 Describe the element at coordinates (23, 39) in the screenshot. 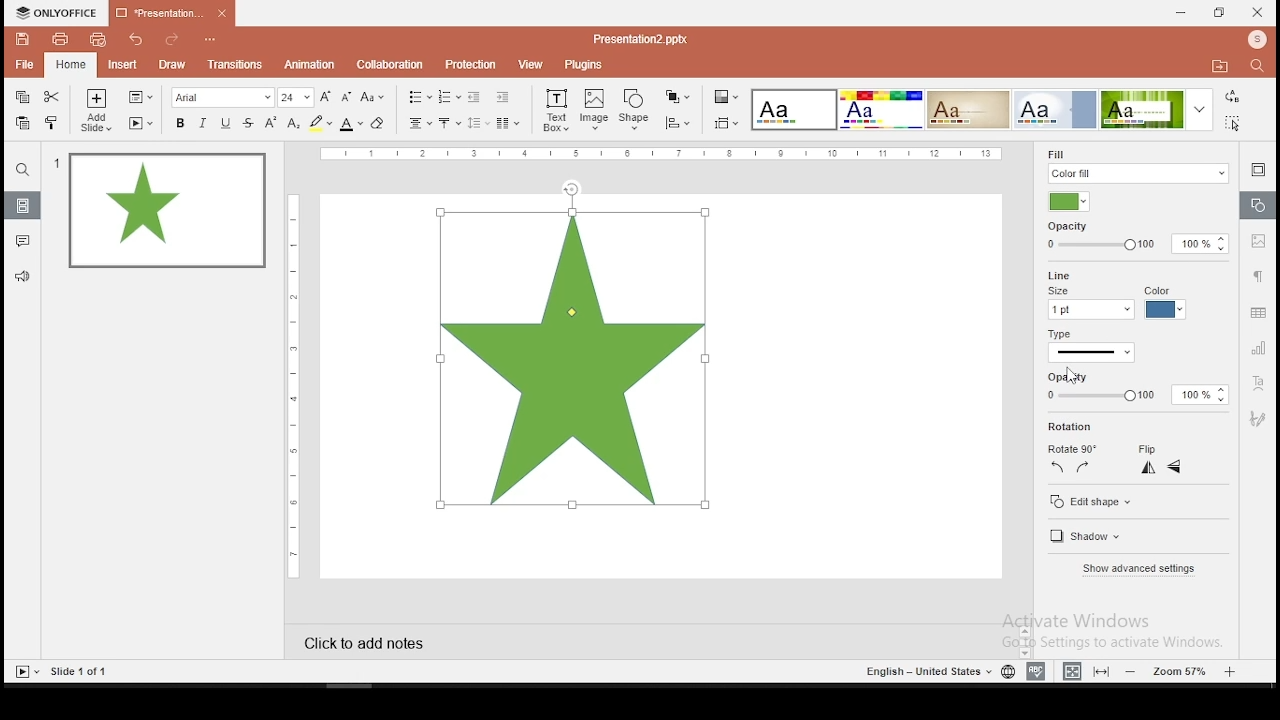

I see `save` at that location.